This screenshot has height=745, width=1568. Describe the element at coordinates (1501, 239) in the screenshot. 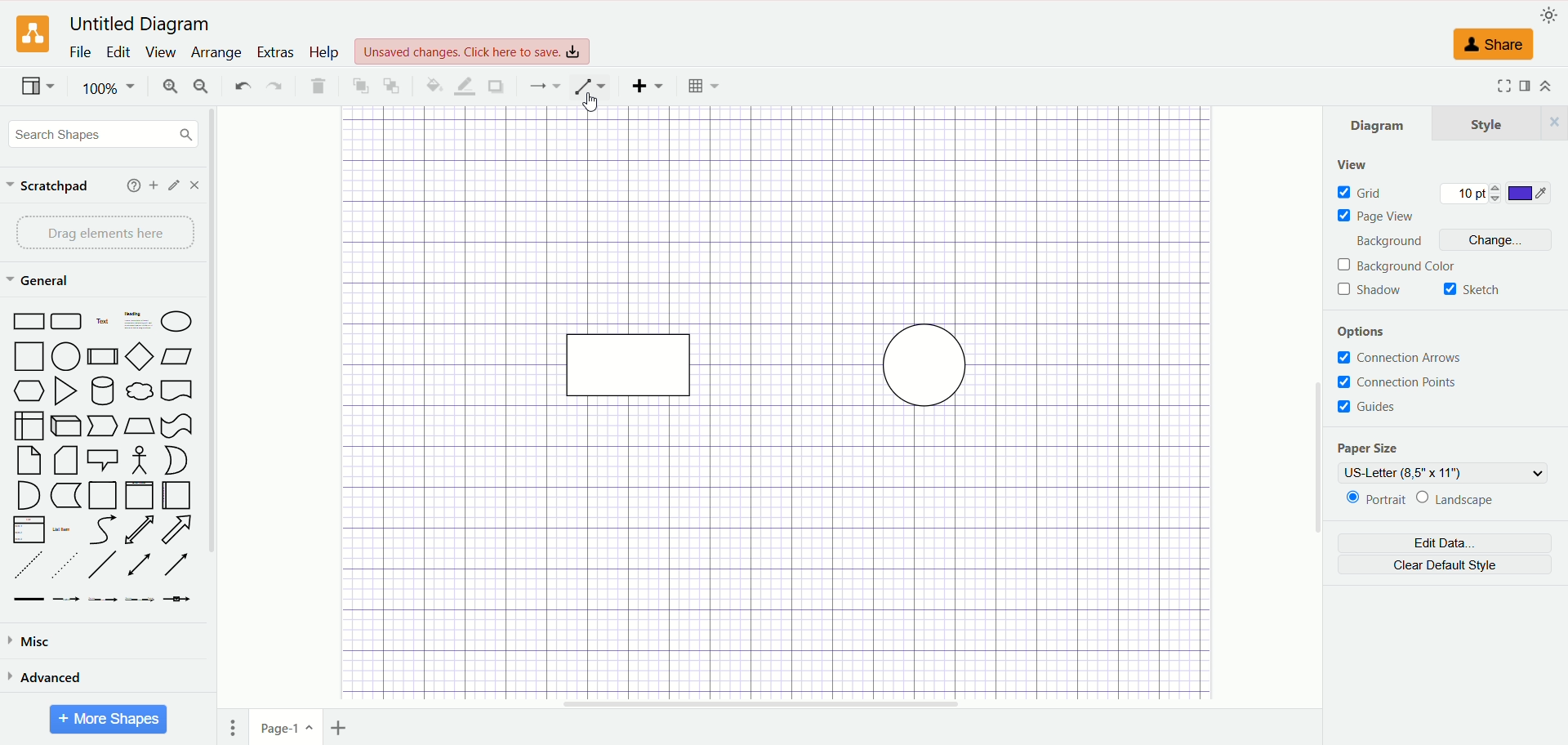

I see `change` at that location.